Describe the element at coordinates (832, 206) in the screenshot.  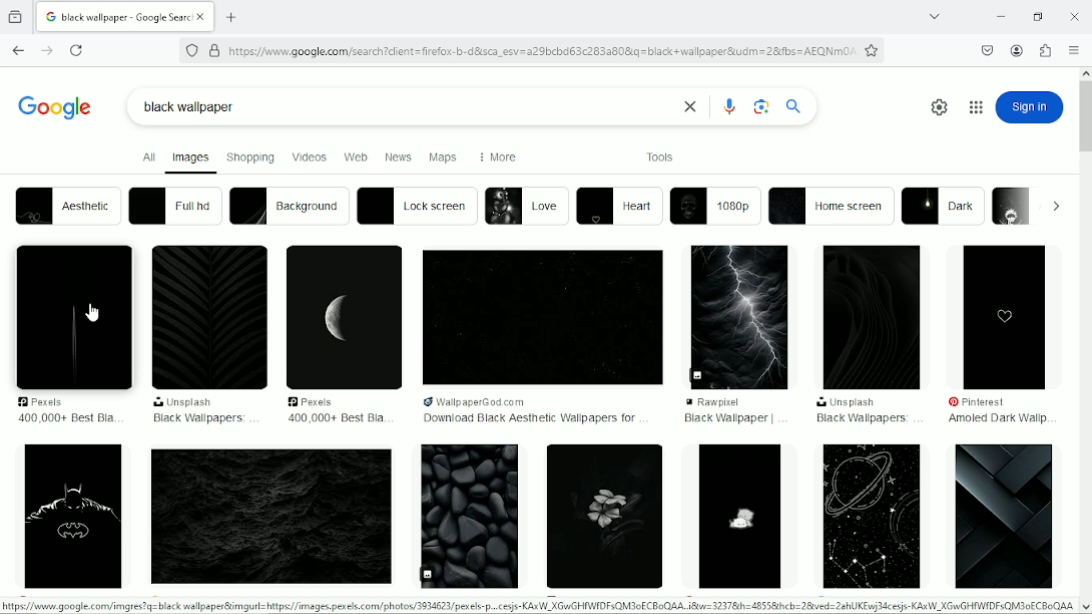
I see `home screen` at that location.